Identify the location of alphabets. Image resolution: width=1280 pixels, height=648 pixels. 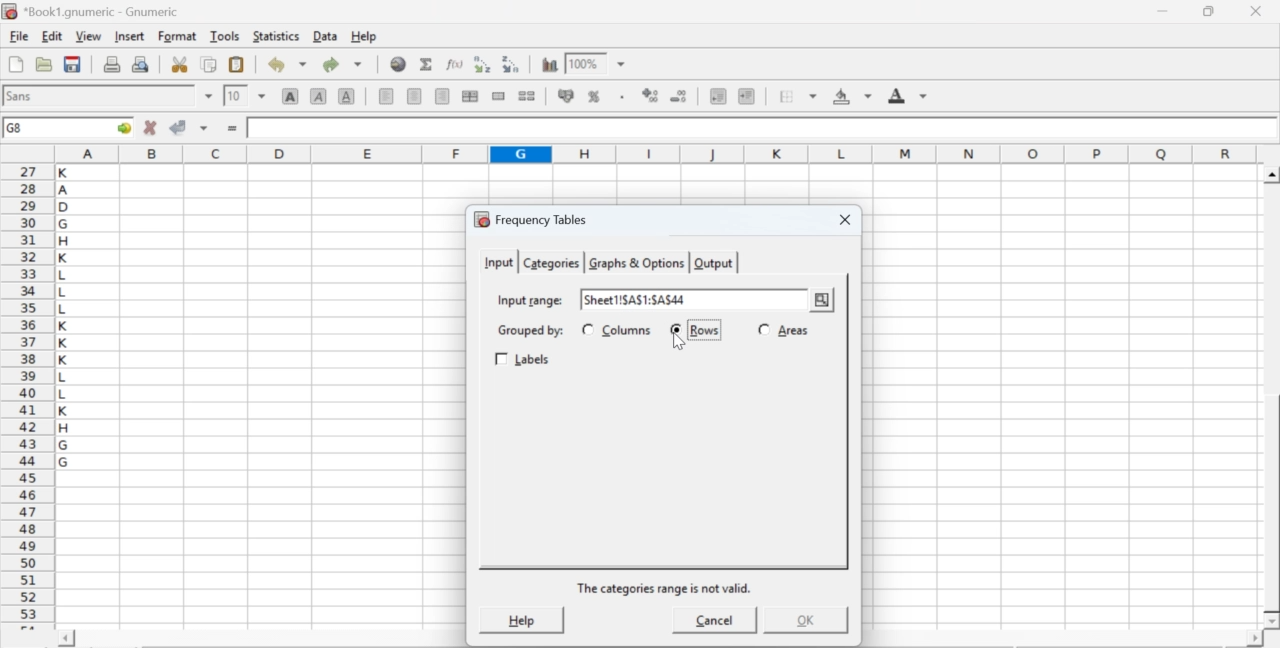
(65, 393).